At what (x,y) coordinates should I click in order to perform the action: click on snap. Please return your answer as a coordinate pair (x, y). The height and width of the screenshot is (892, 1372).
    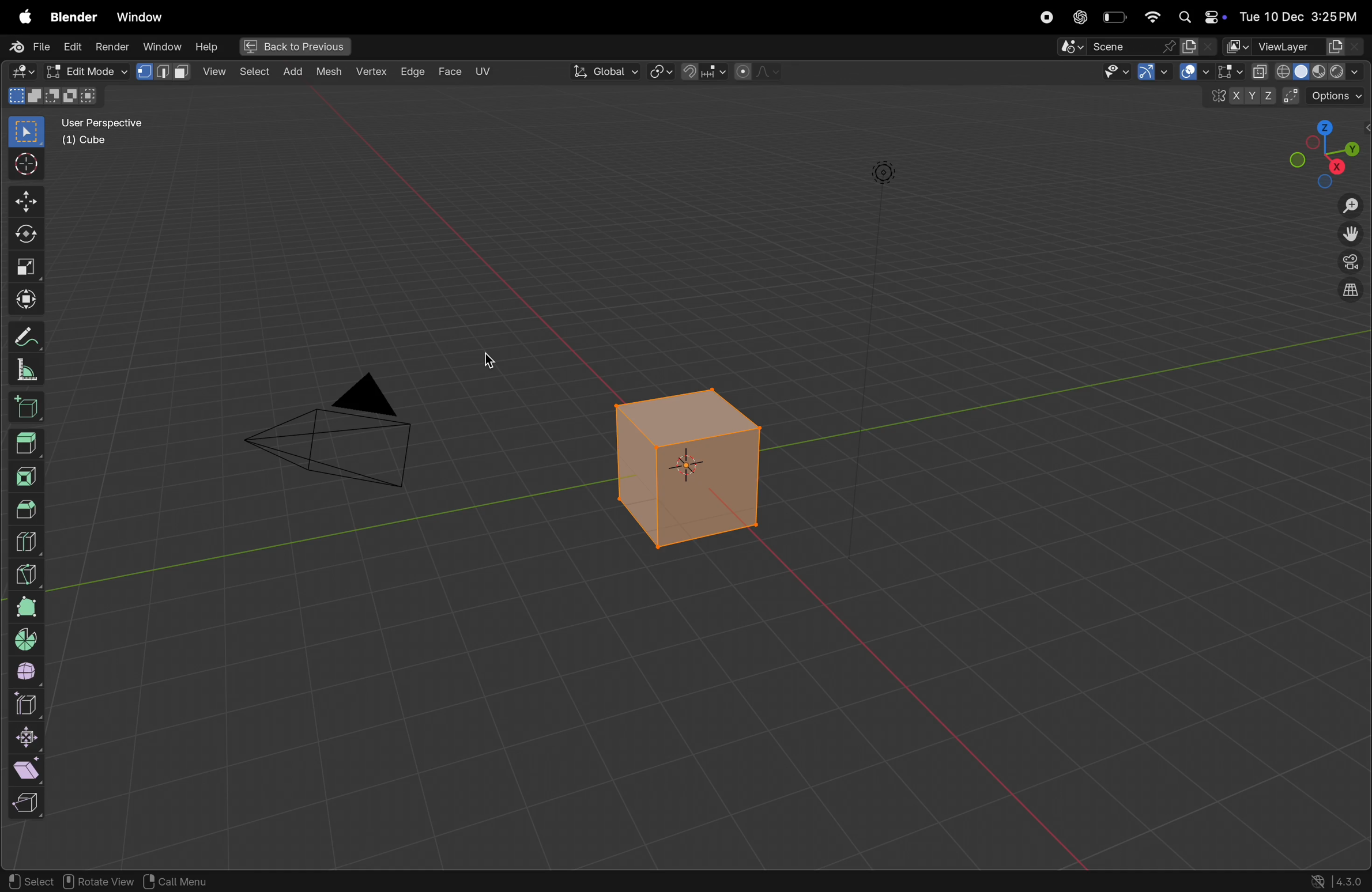
    Looking at the image, I should click on (703, 73).